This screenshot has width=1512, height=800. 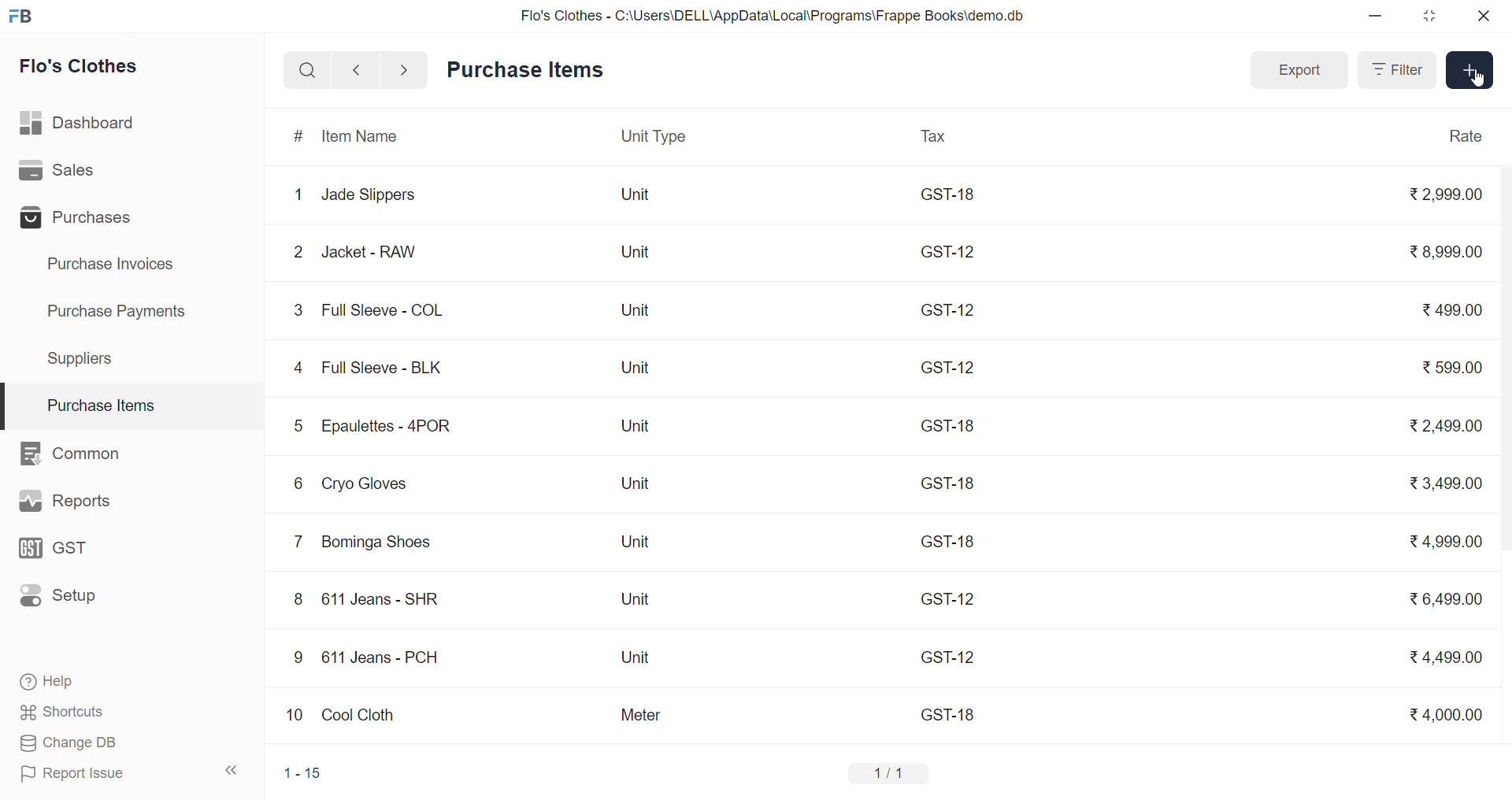 What do you see at coordinates (372, 193) in the screenshot?
I see `Jade Slippers` at bounding box center [372, 193].